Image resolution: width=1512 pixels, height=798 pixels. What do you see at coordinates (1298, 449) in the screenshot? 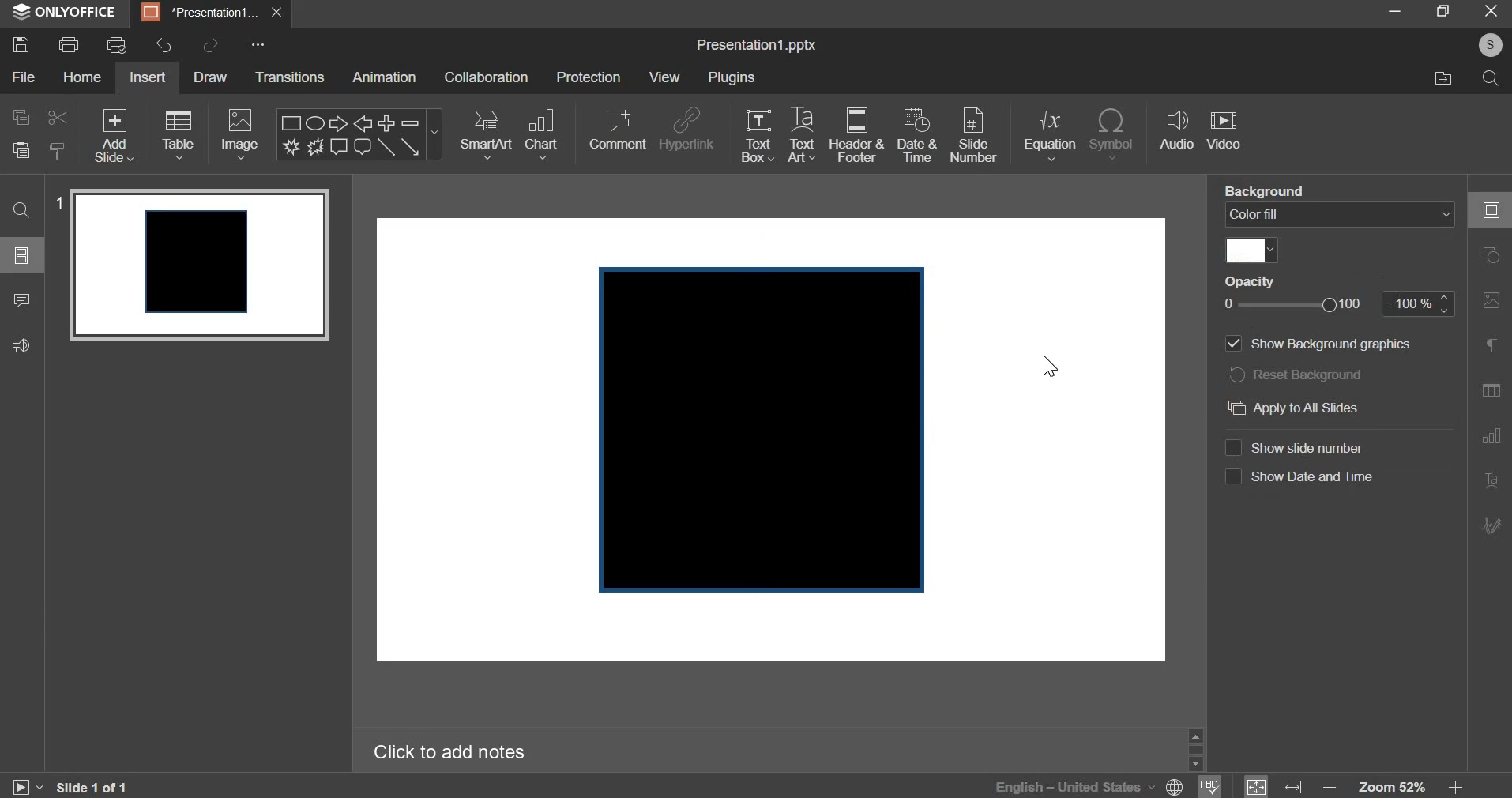
I see `show slide number` at bounding box center [1298, 449].